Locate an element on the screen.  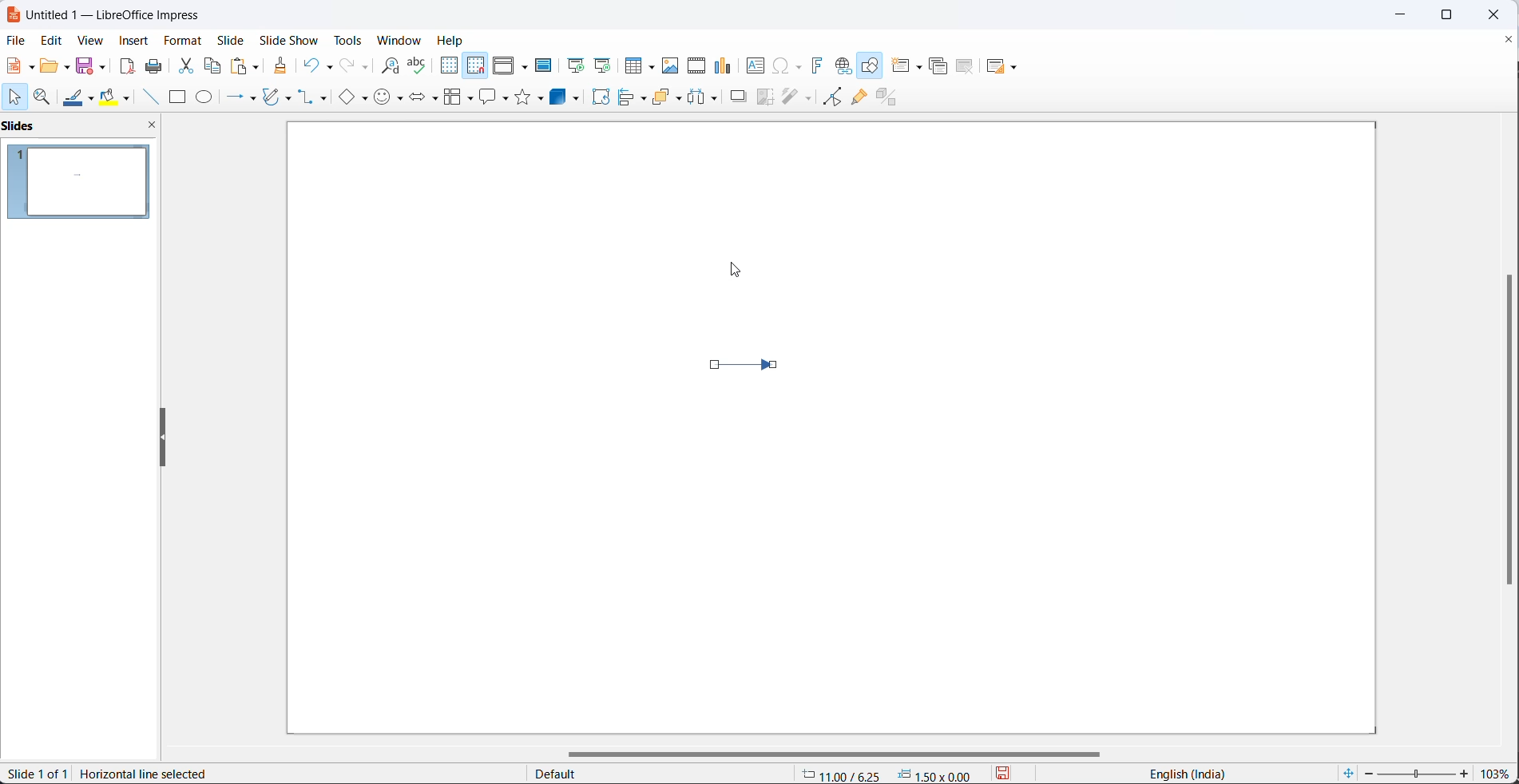
new slide  is located at coordinates (909, 65).